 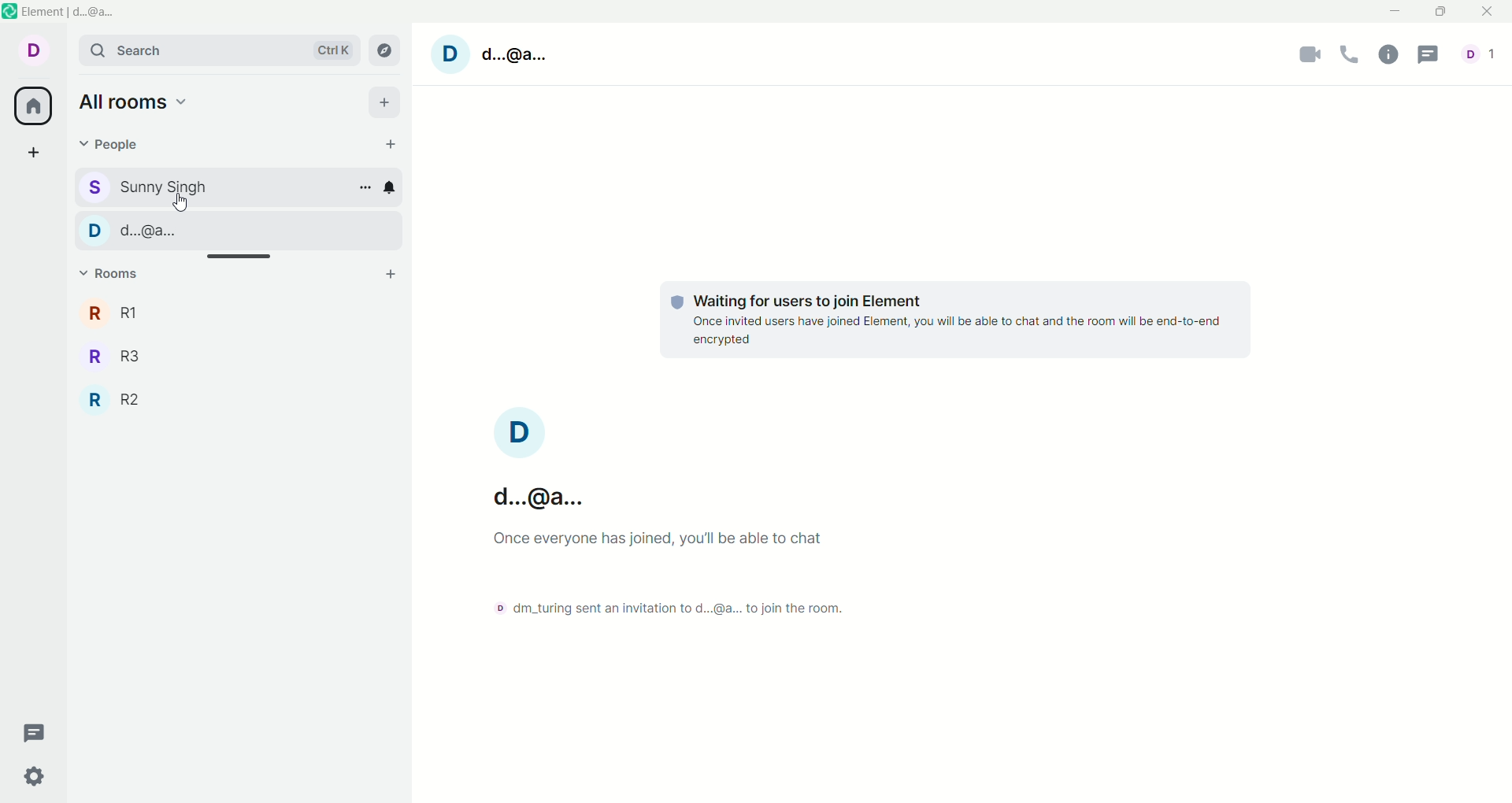 I want to click on account, so click(x=498, y=56).